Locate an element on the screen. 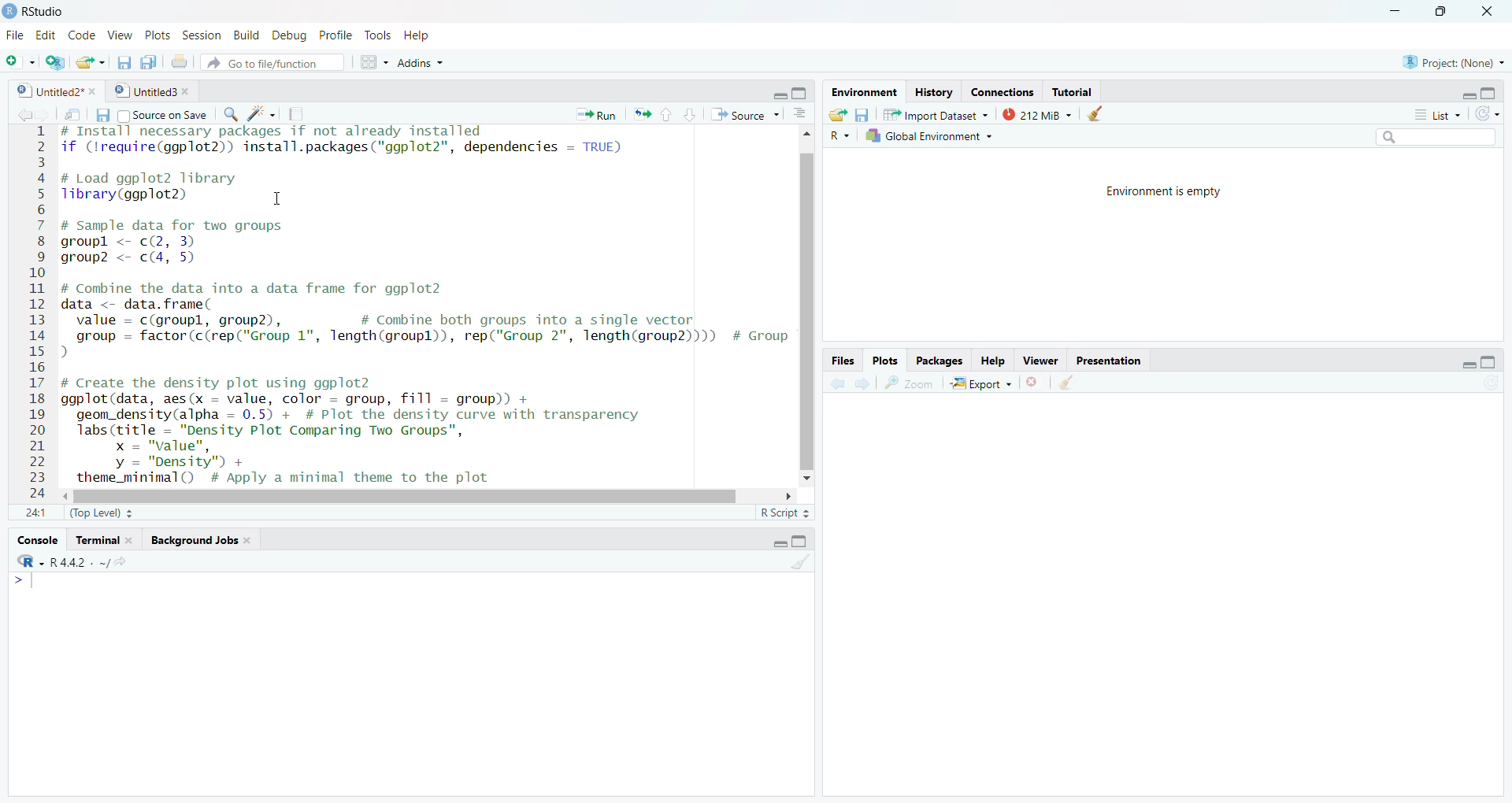 This screenshot has width=1512, height=803. view is located at coordinates (118, 35).